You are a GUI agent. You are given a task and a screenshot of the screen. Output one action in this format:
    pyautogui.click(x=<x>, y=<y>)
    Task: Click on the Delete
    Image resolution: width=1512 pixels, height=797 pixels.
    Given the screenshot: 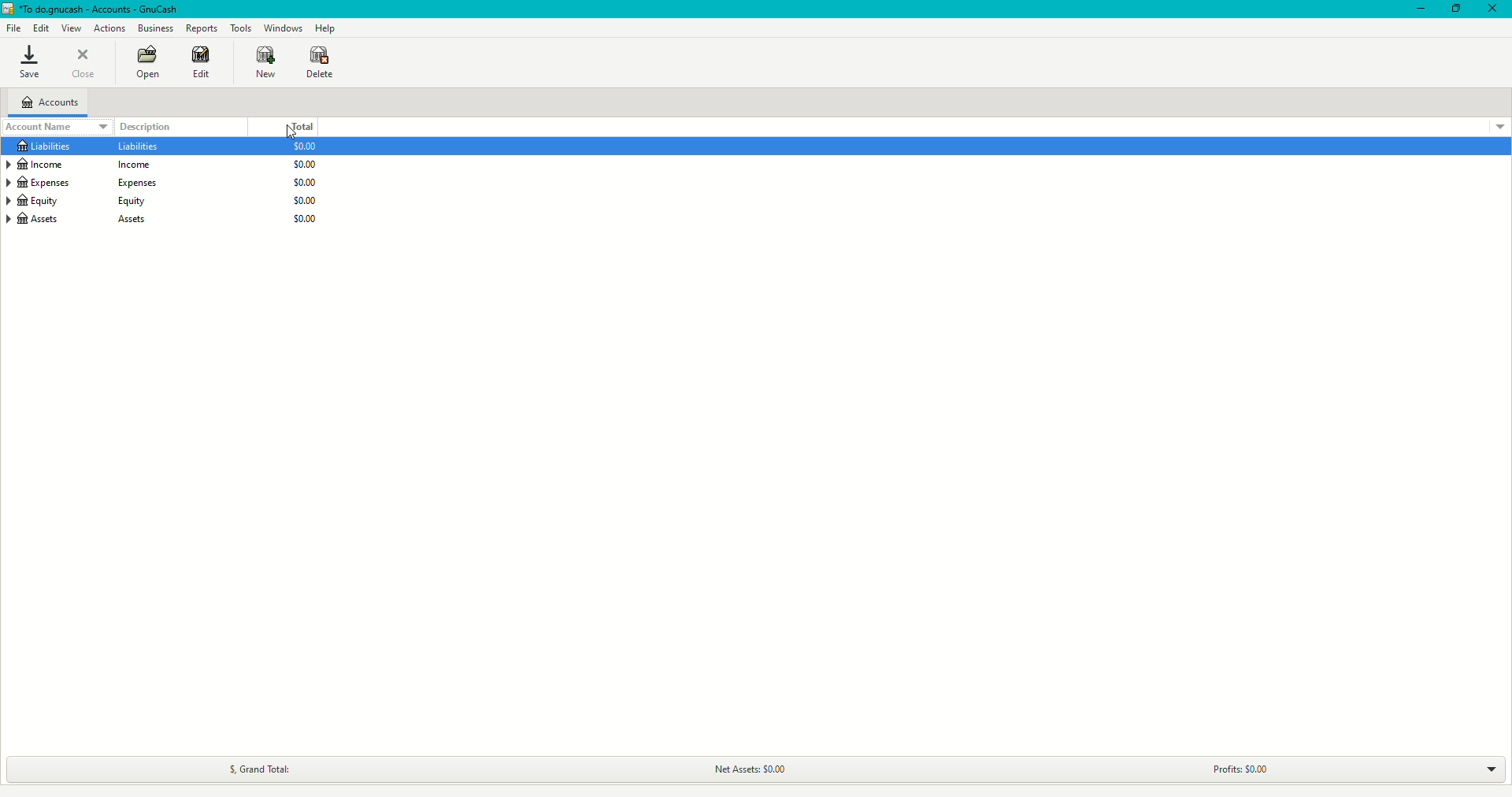 What is the action you would take?
    pyautogui.click(x=319, y=61)
    